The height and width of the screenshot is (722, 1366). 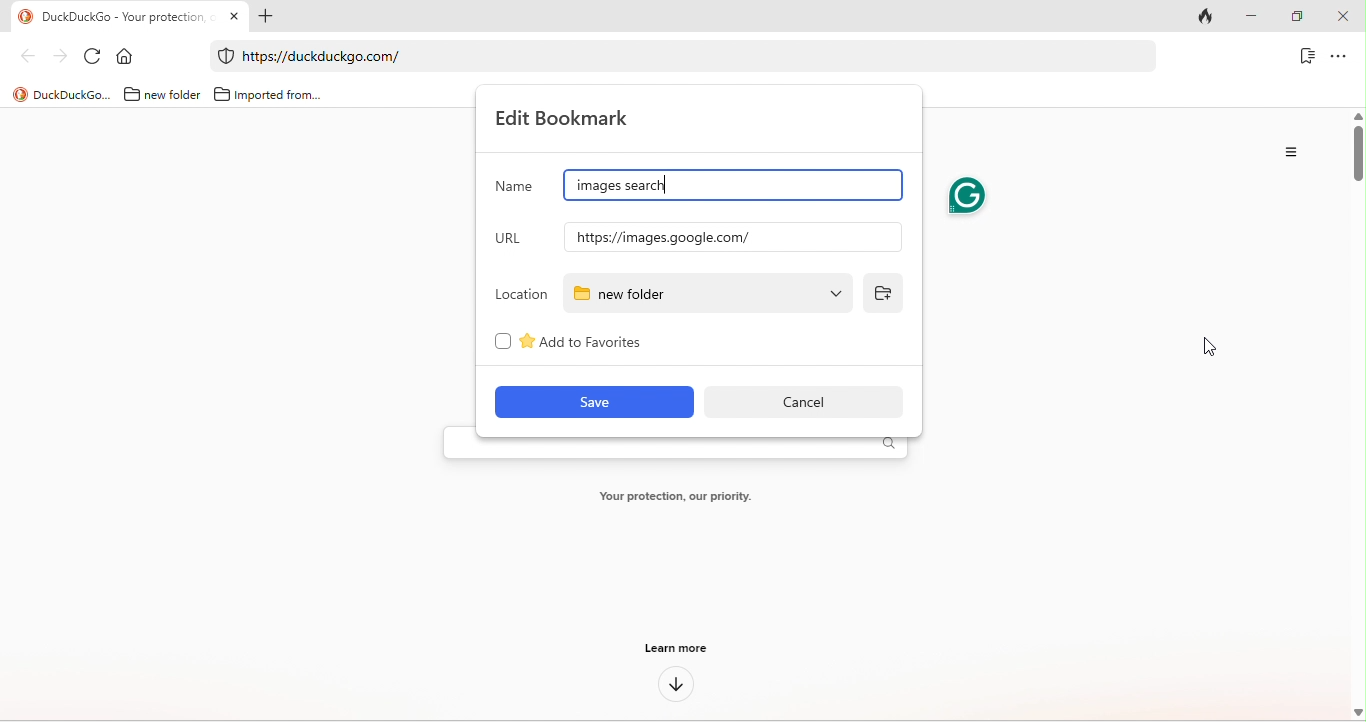 What do you see at coordinates (675, 687) in the screenshot?
I see `down arrow` at bounding box center [675, 687].